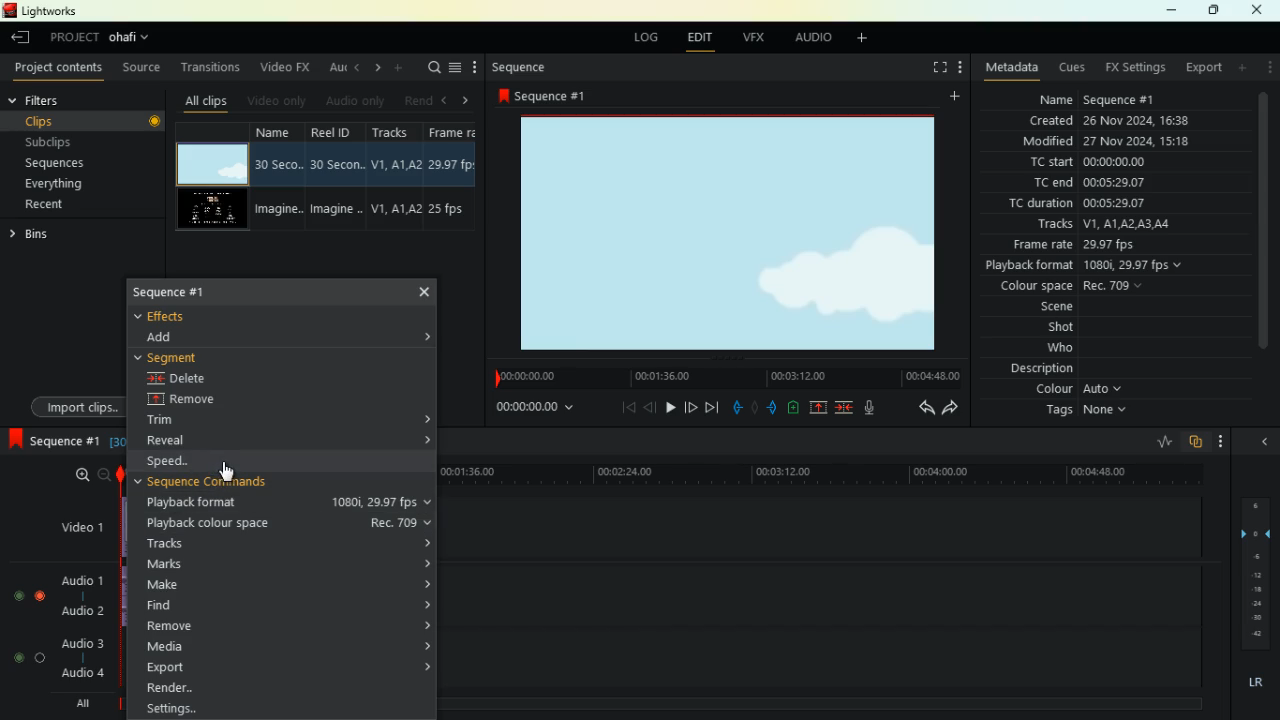 The height and width of the screenshot is (720, 1280). What do you see at coordinates (1102, 142) in the screenshot?
I see `modified` at bounding box center [1102, 142].